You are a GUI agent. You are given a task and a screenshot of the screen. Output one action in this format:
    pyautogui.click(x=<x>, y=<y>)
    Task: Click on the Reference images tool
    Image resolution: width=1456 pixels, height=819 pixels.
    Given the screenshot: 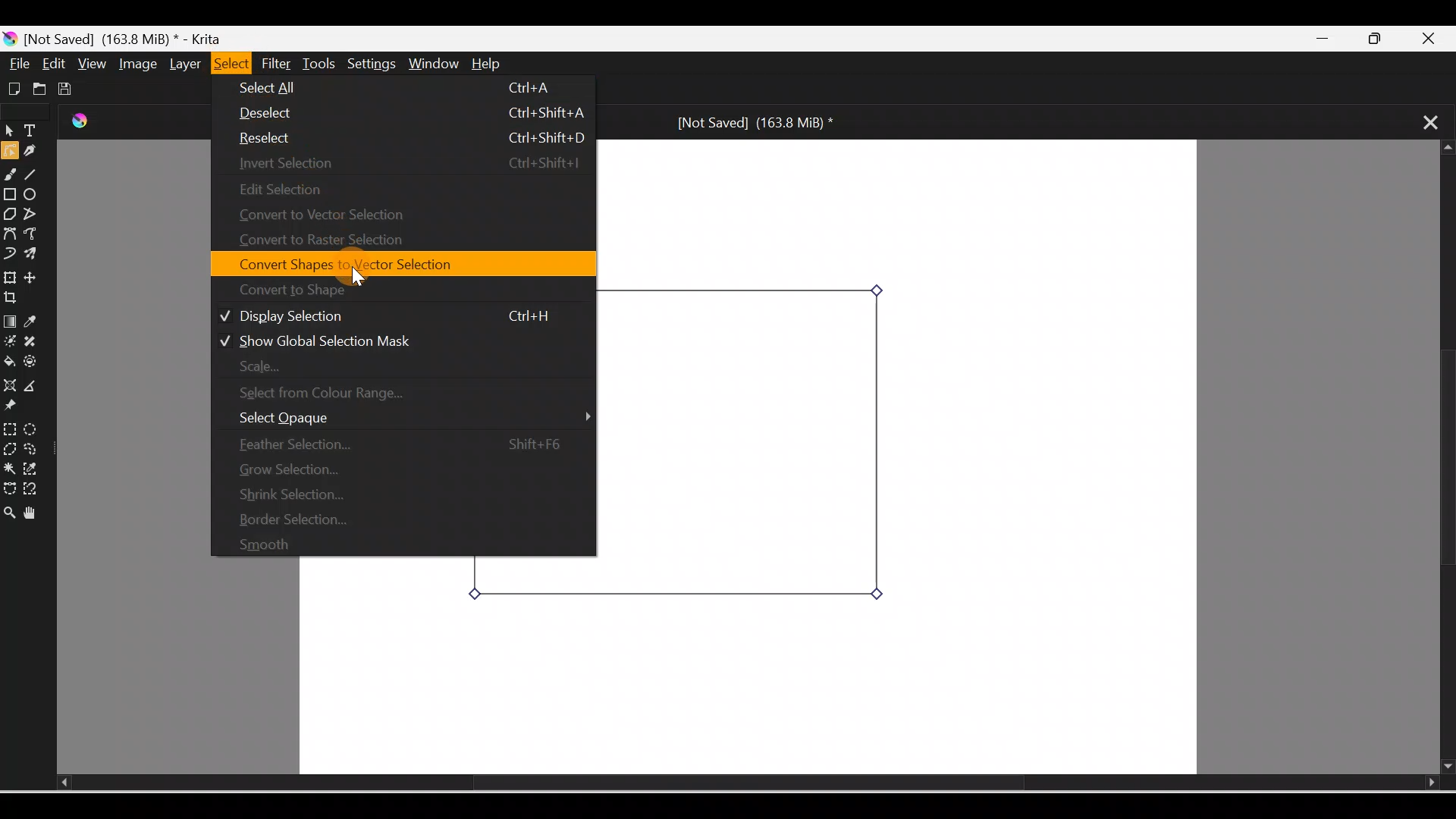 What is the action you would take?
    pyautogui.click(x=19, y=408)
    